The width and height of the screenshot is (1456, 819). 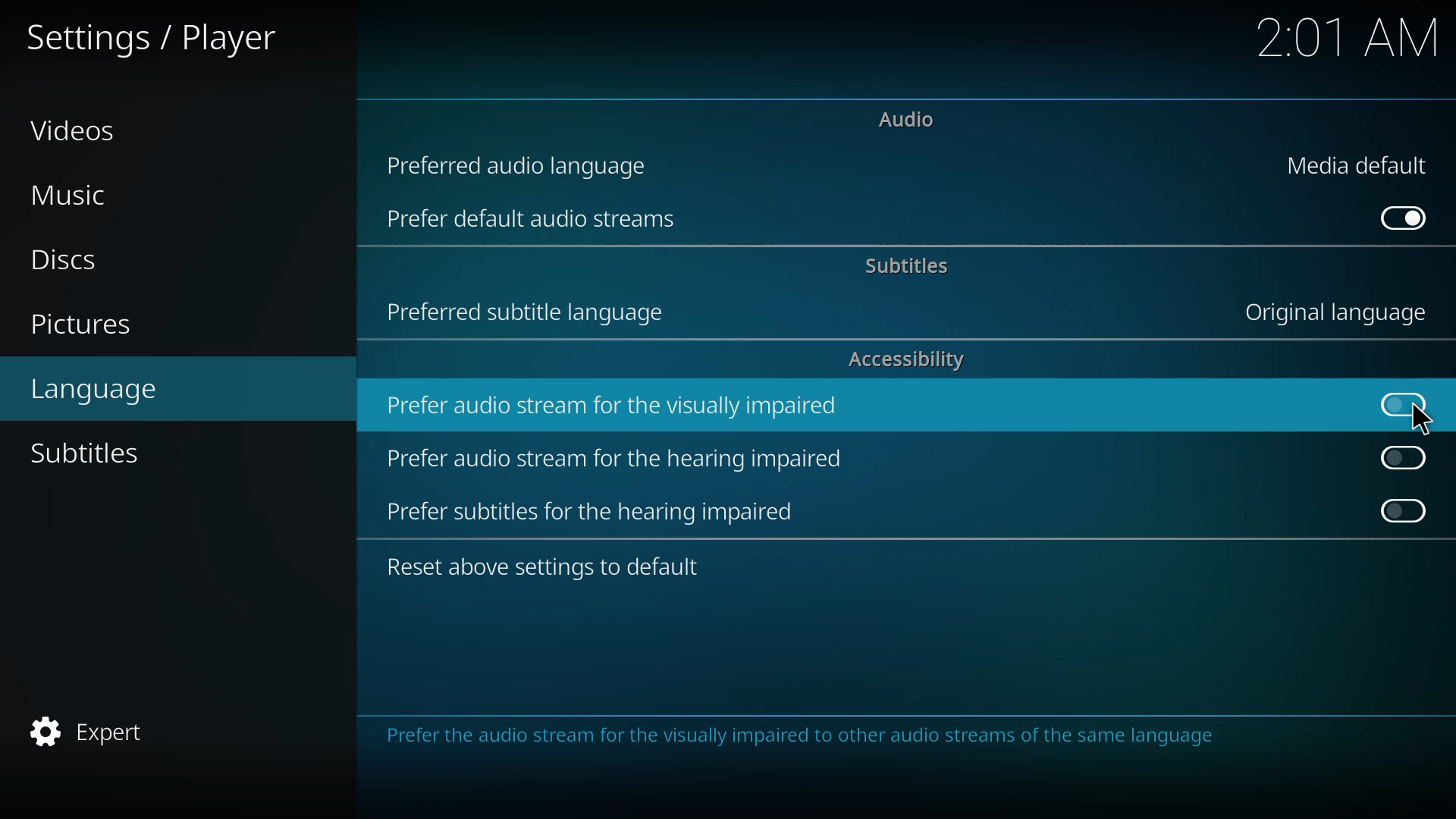 I want to click on pictures, so click(x=82, y=326).